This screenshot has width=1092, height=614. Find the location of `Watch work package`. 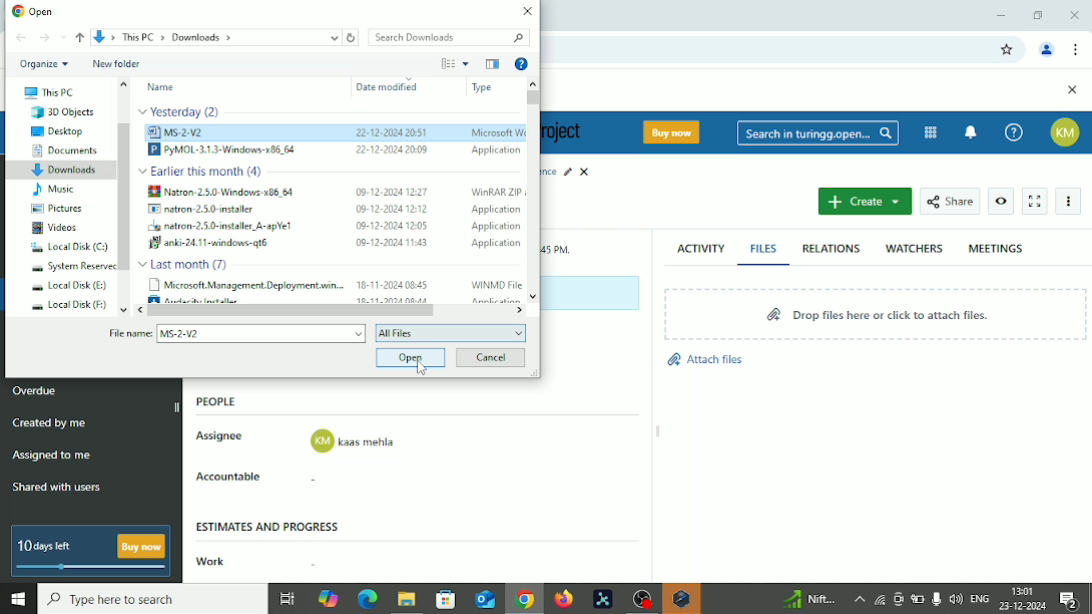

Watch work package is located at coordinates (1002, 201).